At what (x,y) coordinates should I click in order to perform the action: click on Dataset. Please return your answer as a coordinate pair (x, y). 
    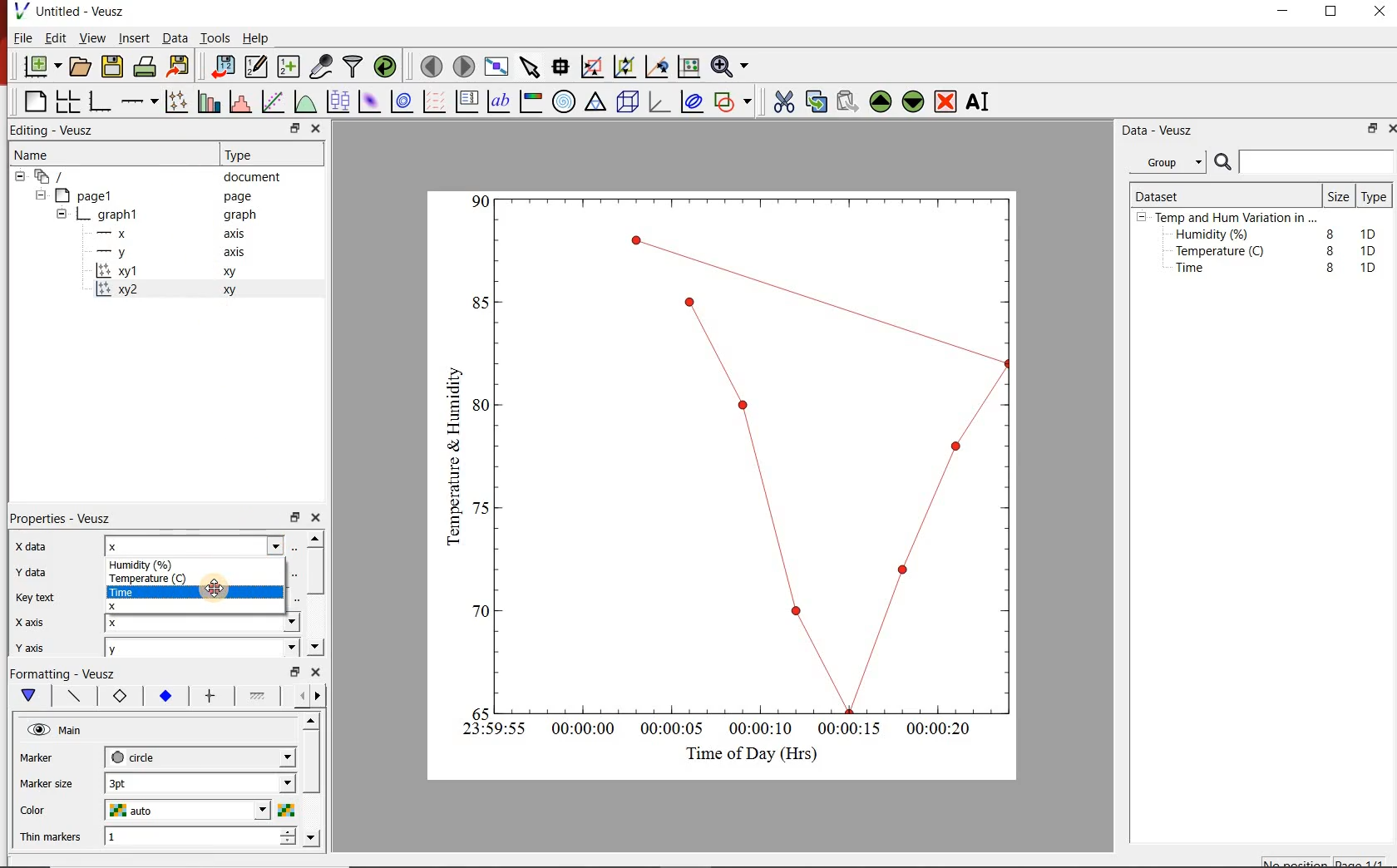
    Looking at the image, I should click on (1164, 194).